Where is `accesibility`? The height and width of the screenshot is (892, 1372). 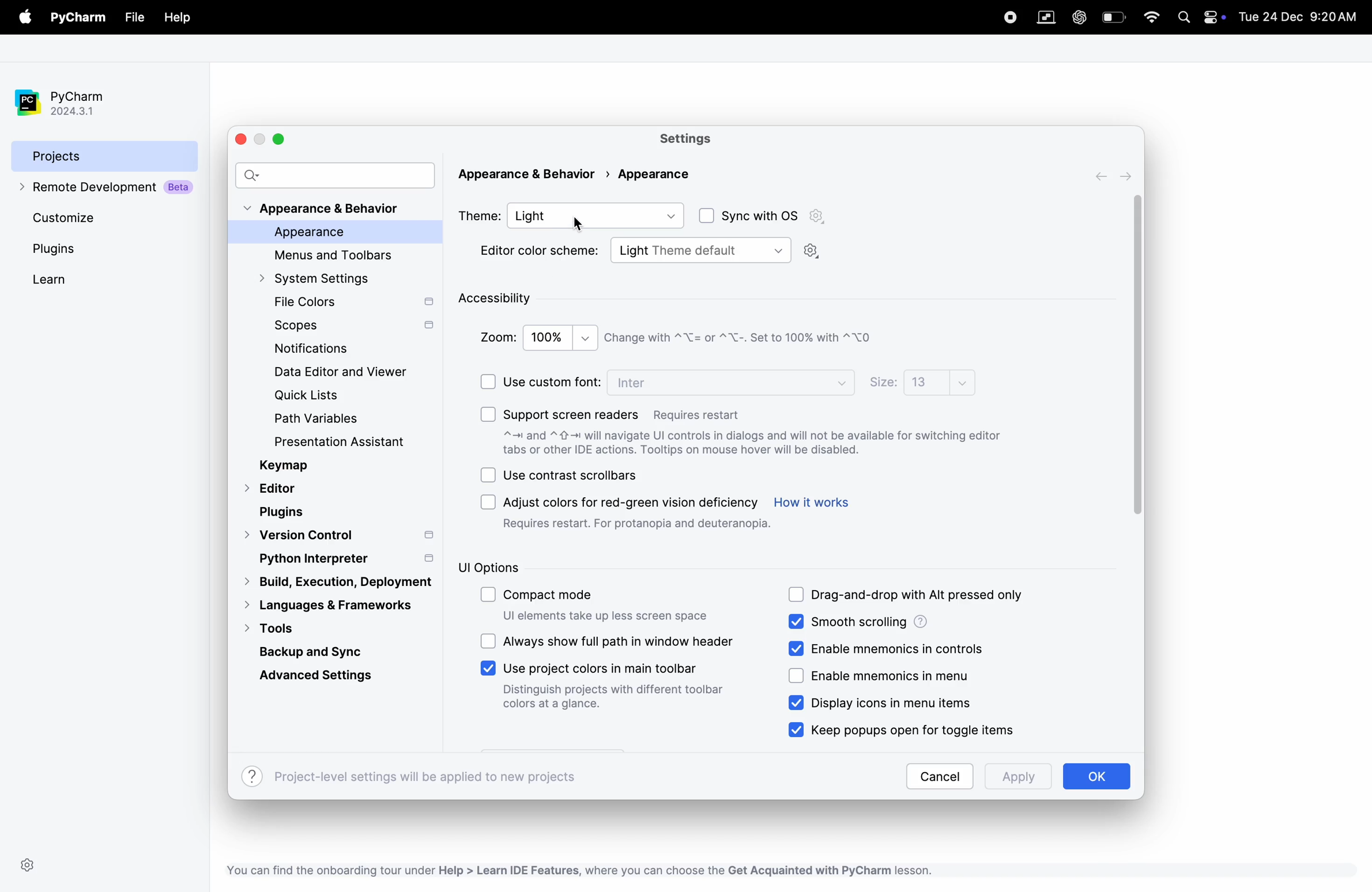 accesibility is located at coordinates (499, 300).